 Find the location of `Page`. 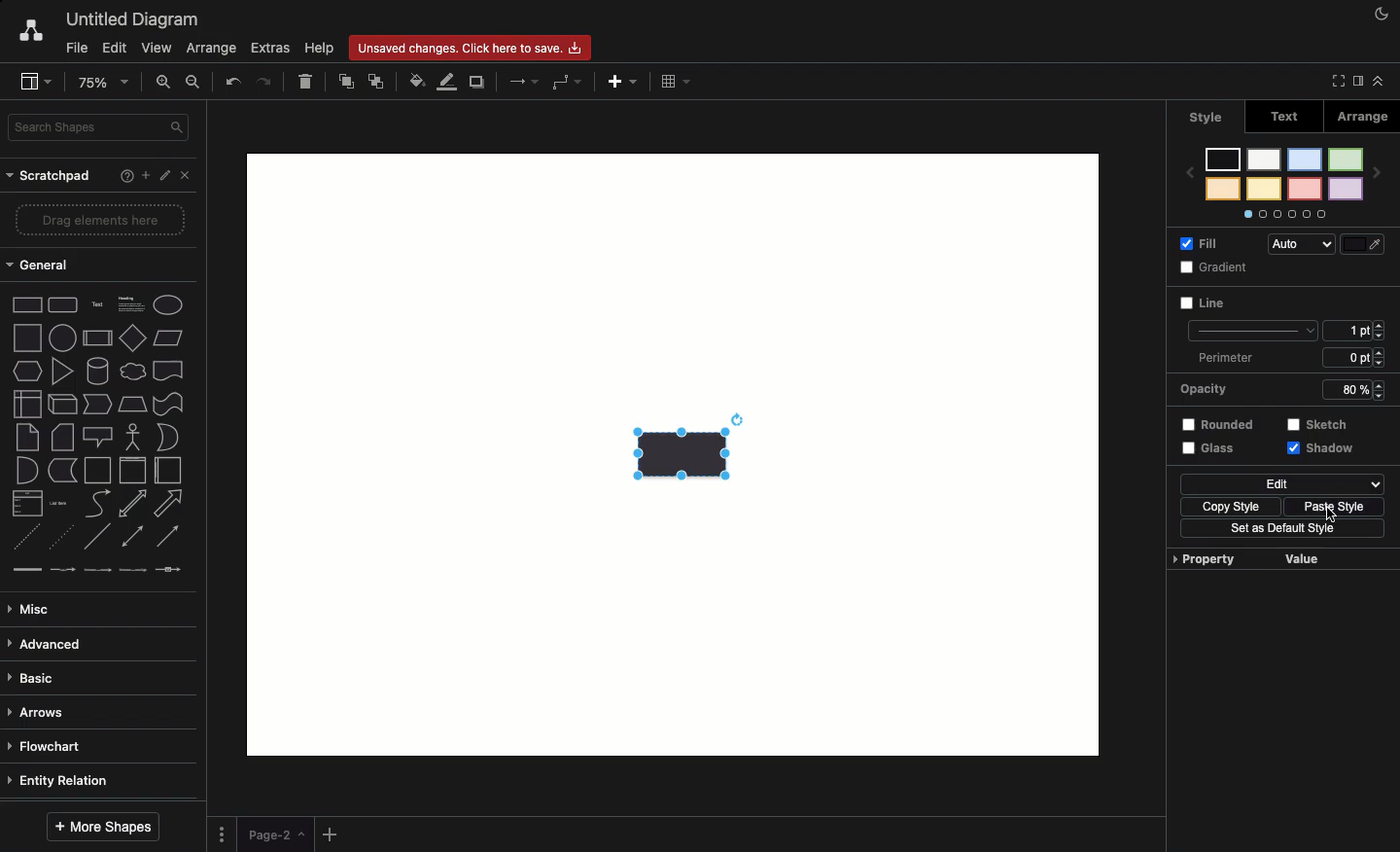

Page is located at coordinates (275, 834).